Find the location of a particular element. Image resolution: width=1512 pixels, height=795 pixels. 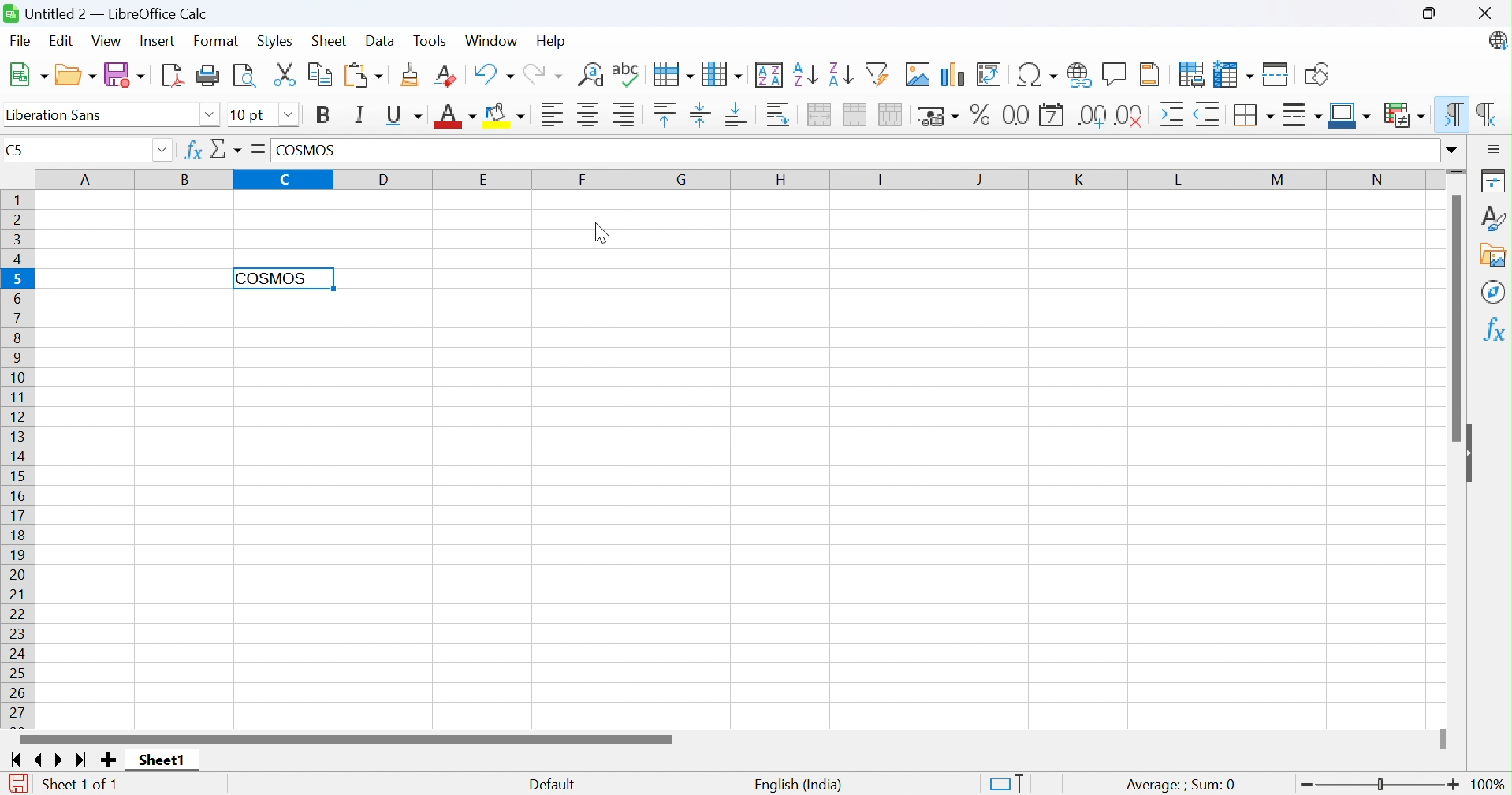

Scroll to last sheet is located at coordinates (80, 763).